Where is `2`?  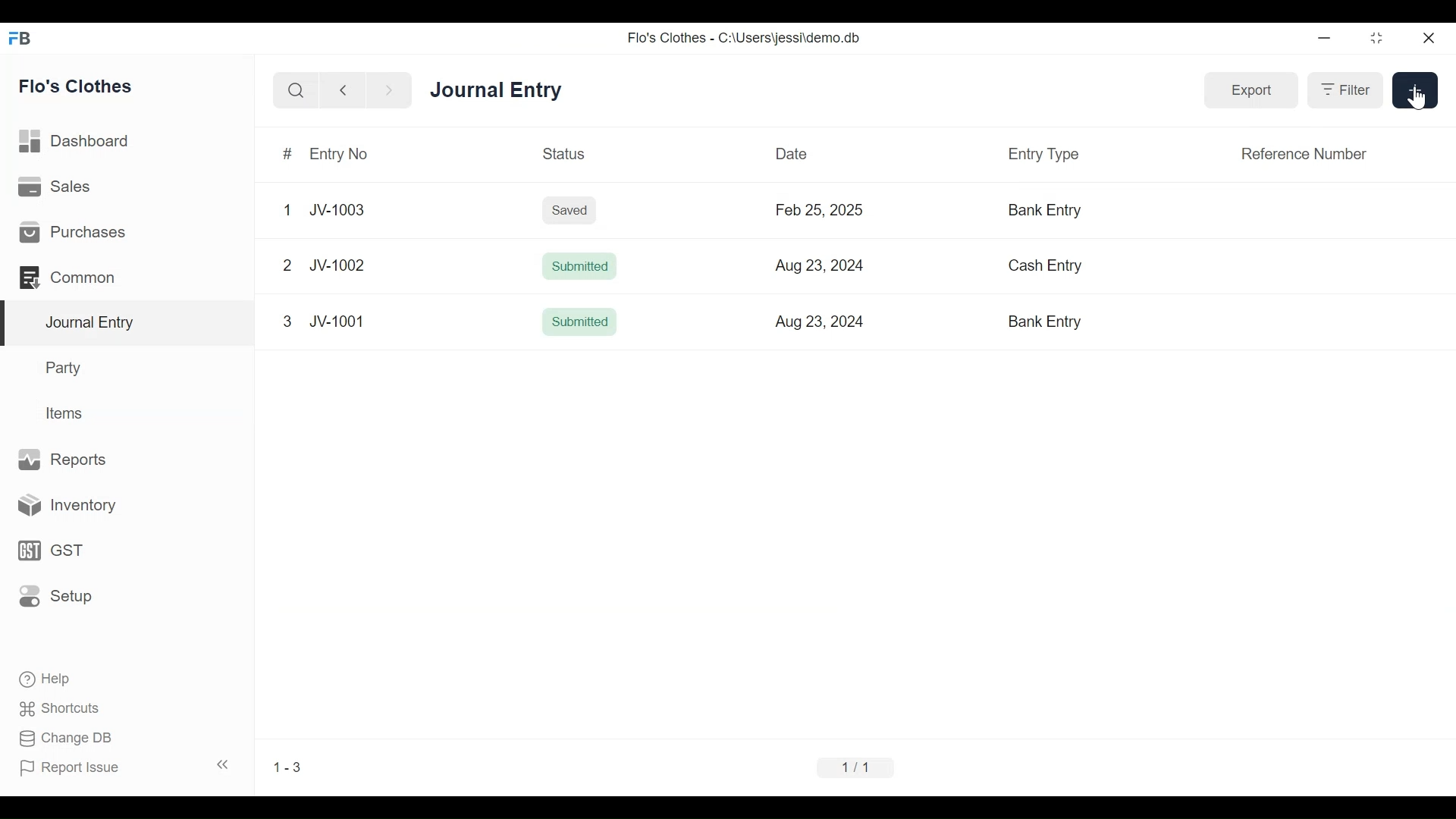
2 is located at coordinates (287, 266).